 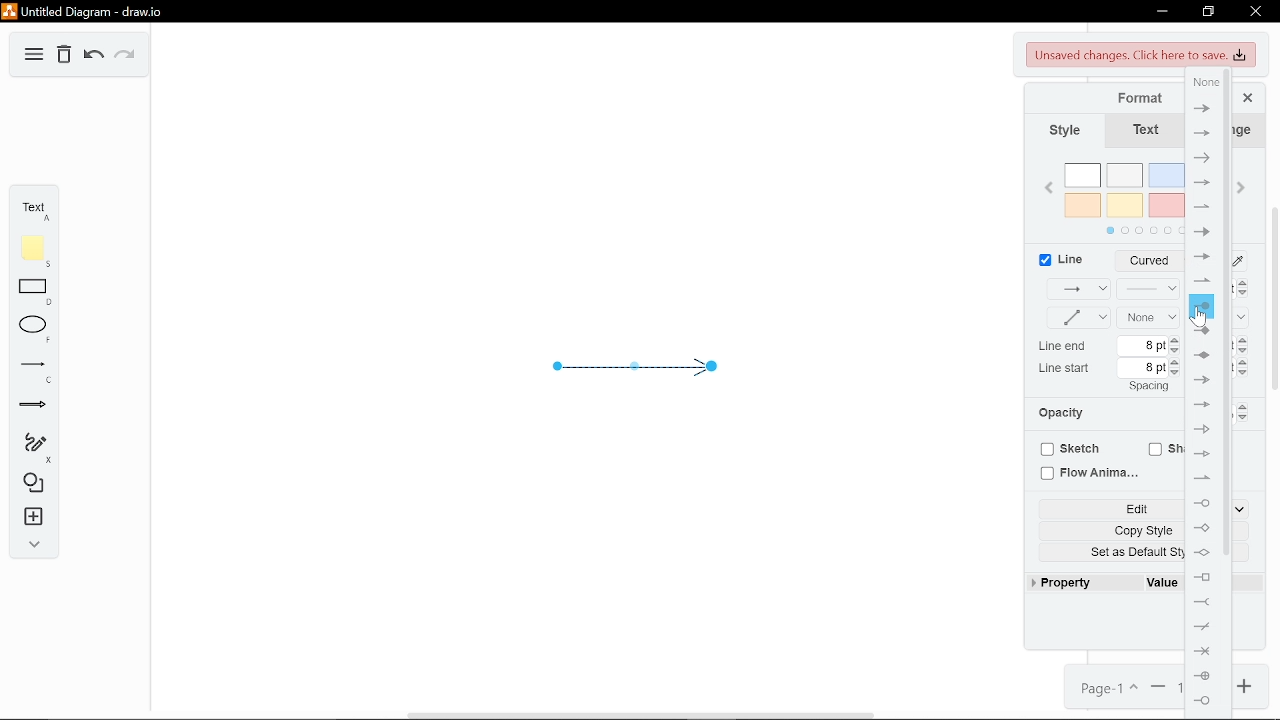 I want to click on Close format, so click(x=1248, y=98).